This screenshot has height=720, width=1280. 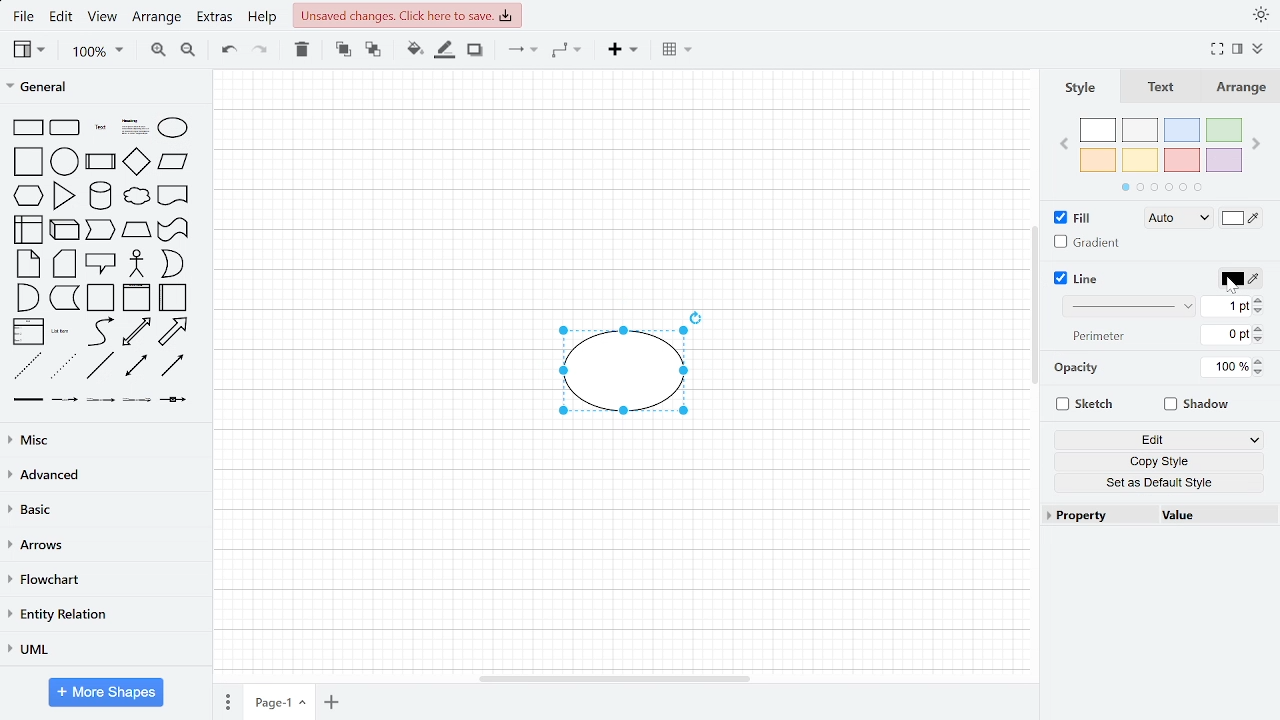 What do you see at coordinates (1258, 362) in the screenshot?
I see `Increase opacity` at bounding box center [1258, 362].